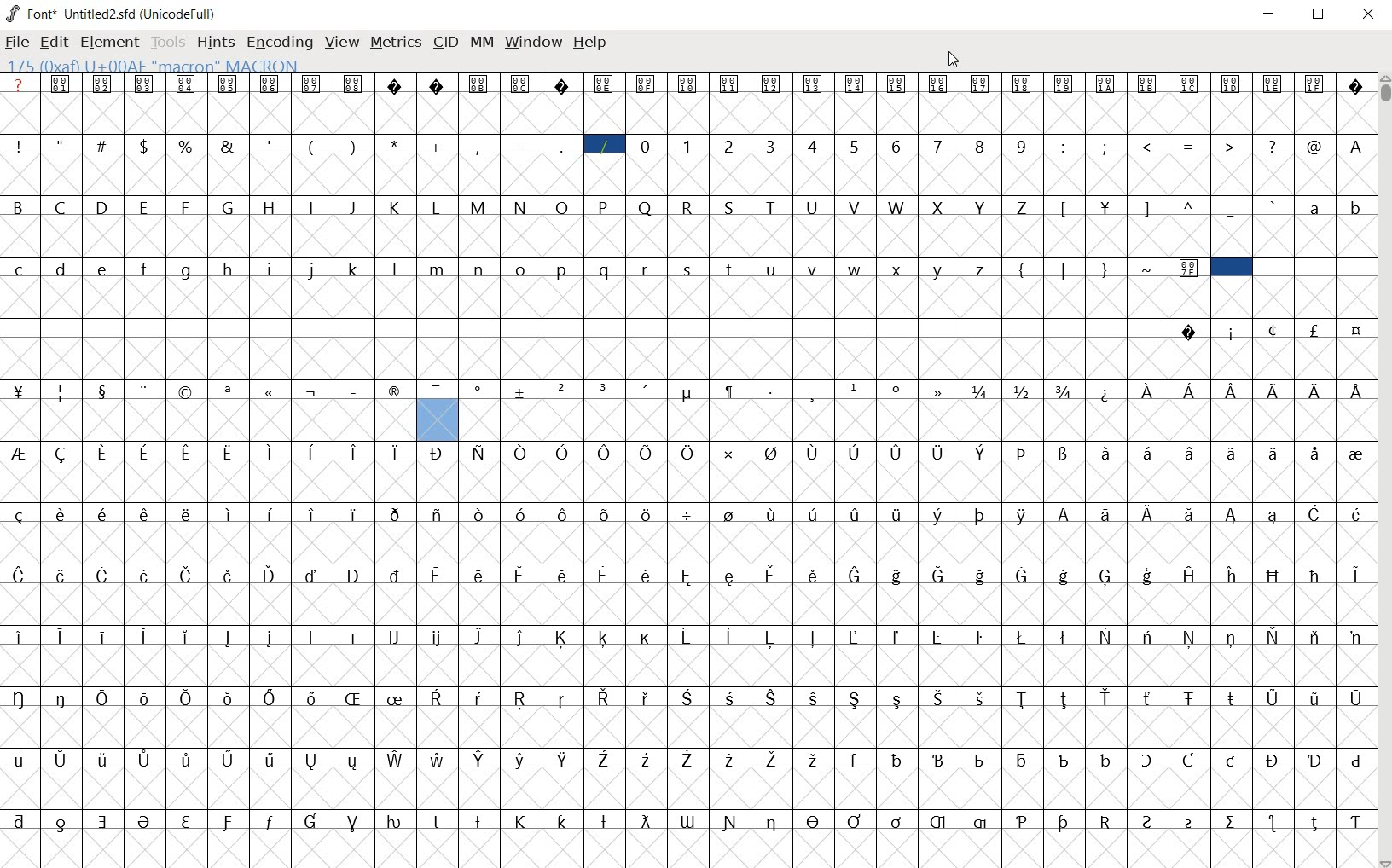 The image size is (1392, 868). Describe the element at coordinates (607, 575) in the screenshot. I see `Symbol` at that location.